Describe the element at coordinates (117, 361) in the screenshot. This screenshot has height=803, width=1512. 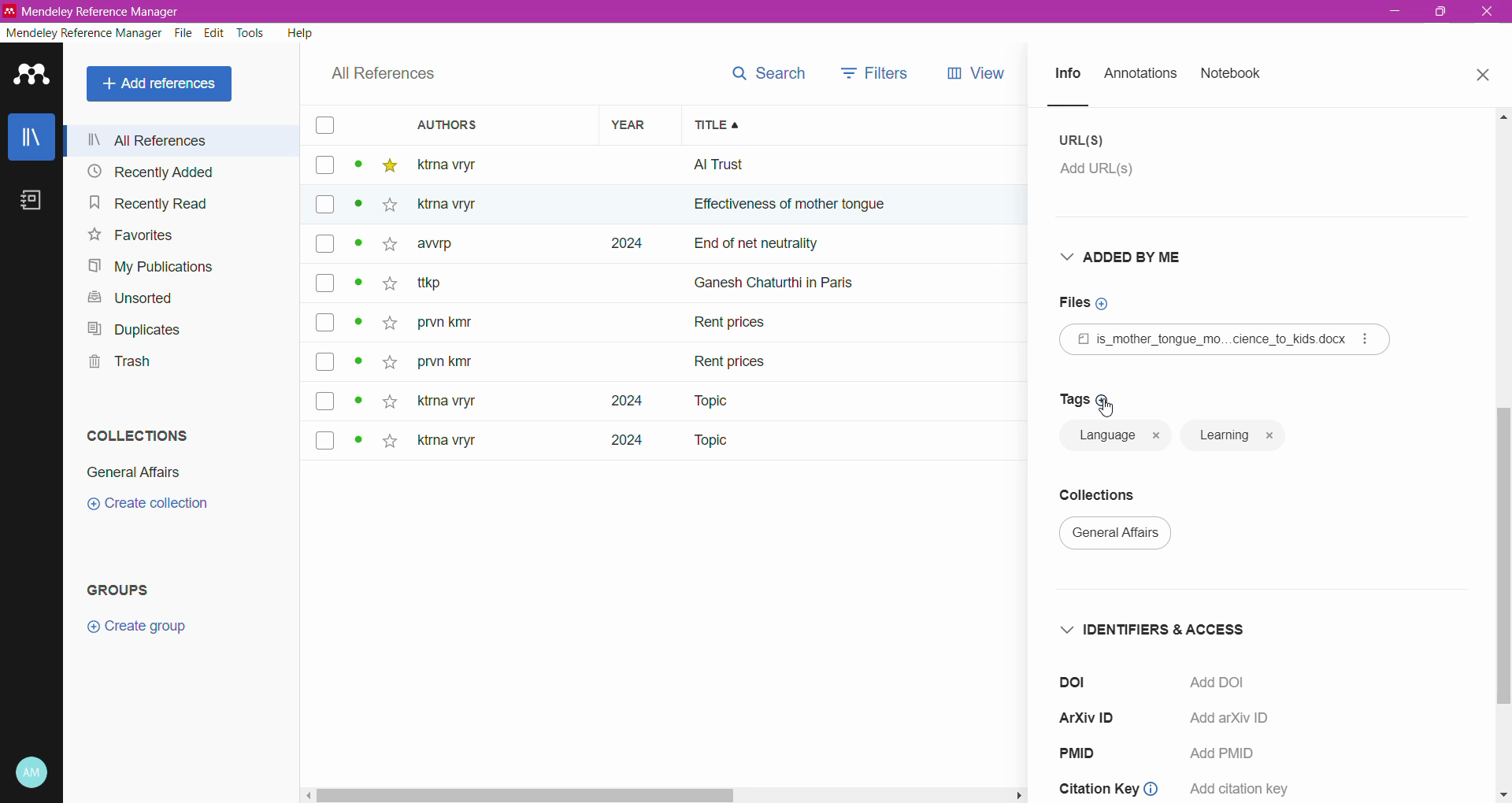
I see `Trash` at that location.